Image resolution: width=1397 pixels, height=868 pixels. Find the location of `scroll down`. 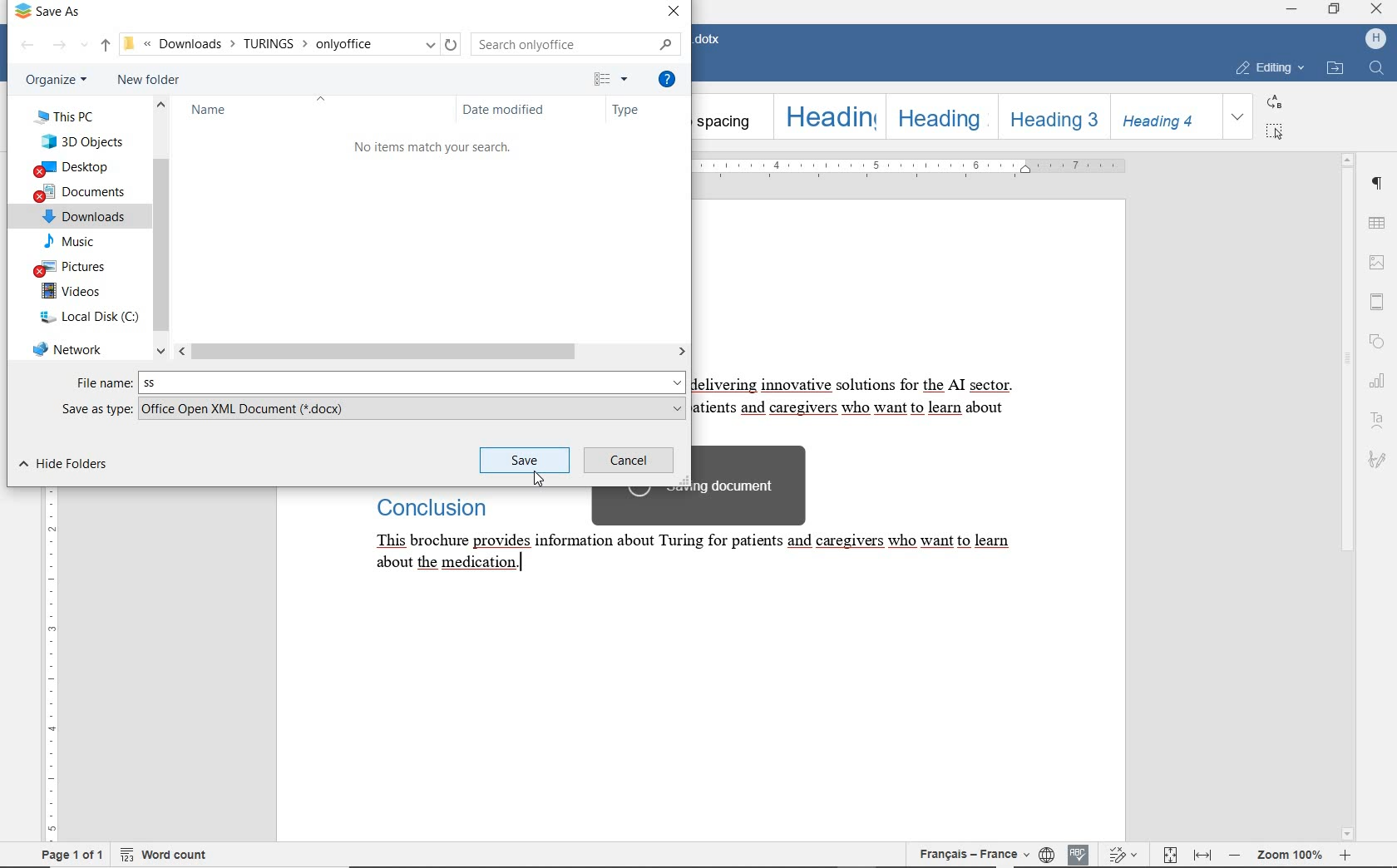

scroll down is located at coordinates (1348, 836).